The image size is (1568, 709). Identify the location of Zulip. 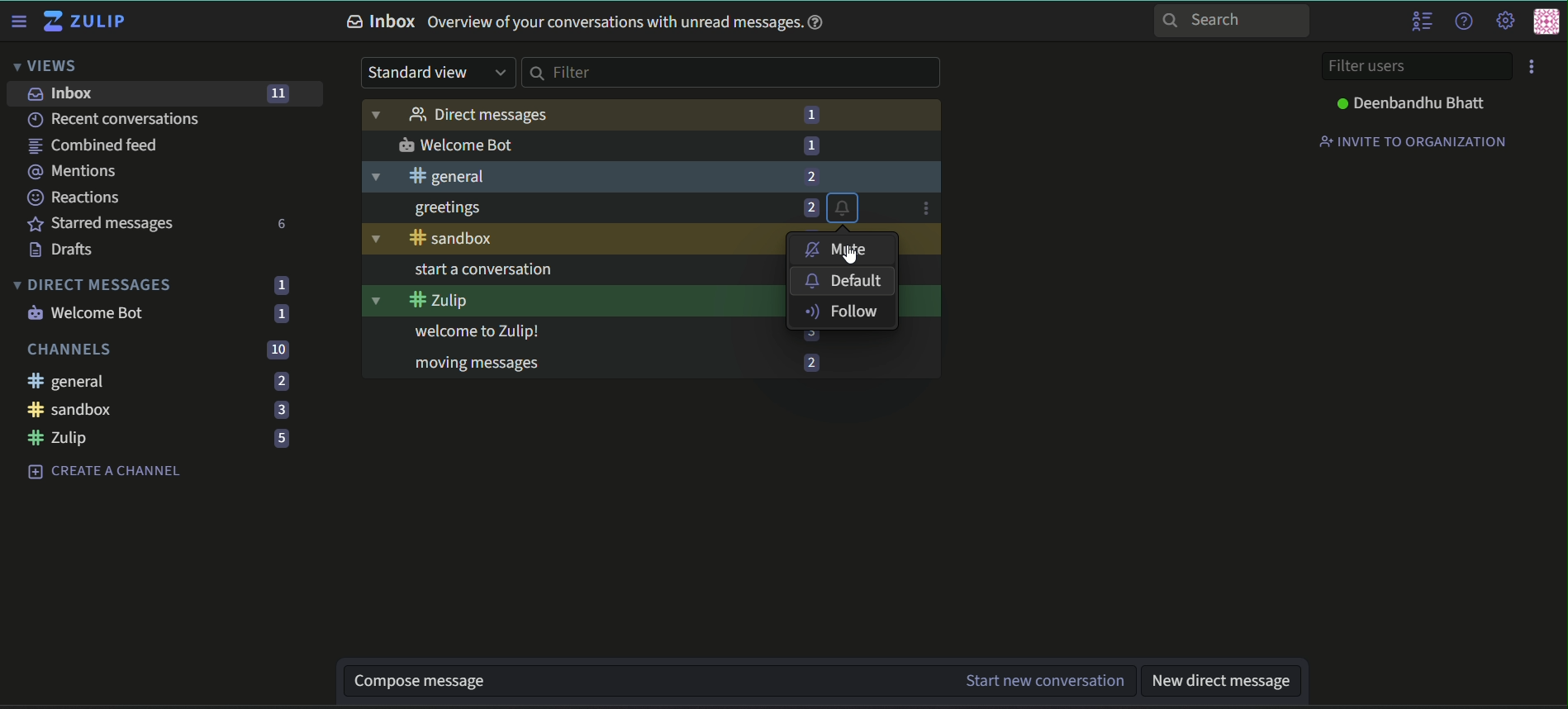
(58, 438).